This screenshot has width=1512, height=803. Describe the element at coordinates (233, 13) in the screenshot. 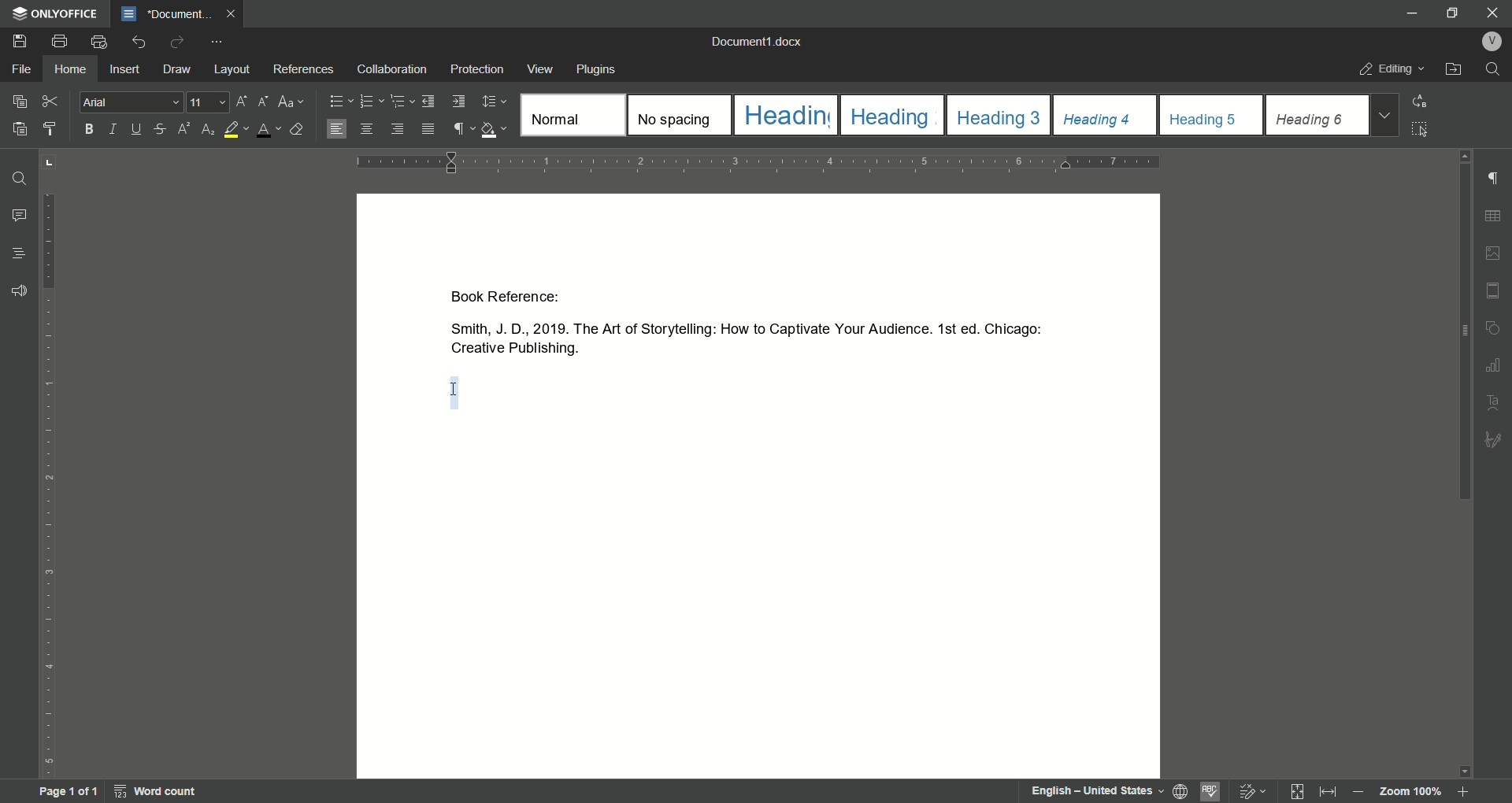

I see `close` at that location.